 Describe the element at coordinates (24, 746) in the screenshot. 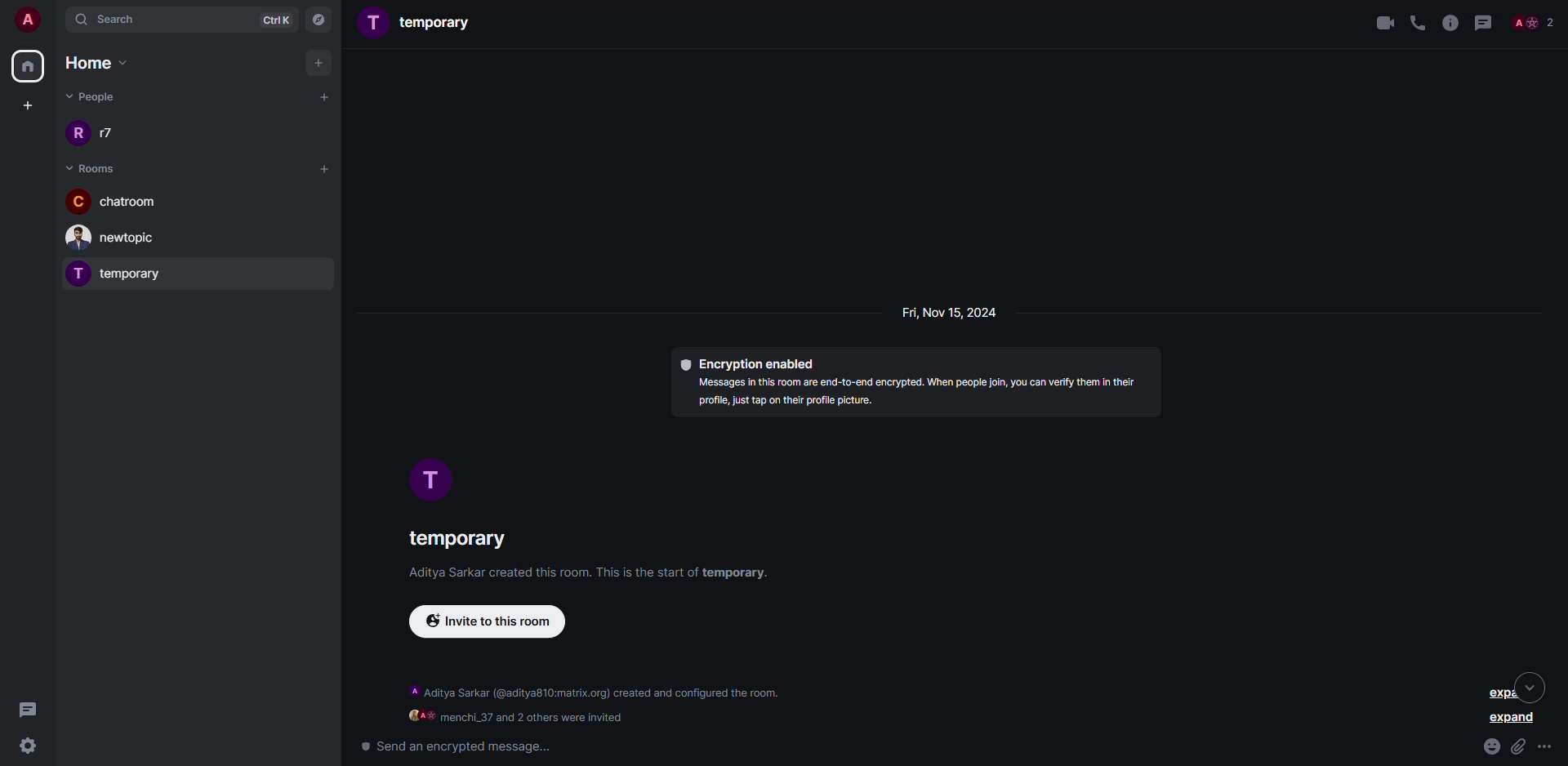

I see `settings` at that location.